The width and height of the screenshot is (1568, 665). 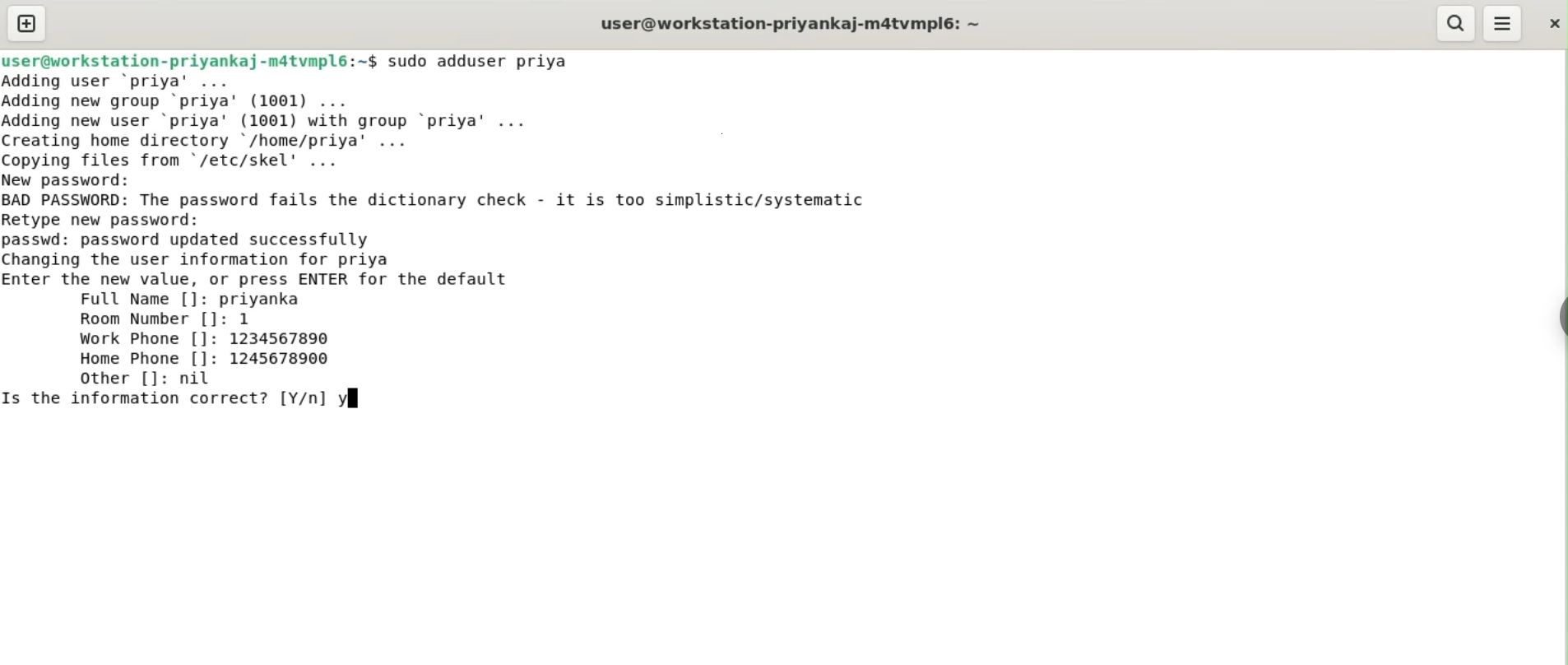 What do you see at coordinates (164, 402) in the screenshot?
I see `is thie information correct? [Y/n]` at bounding box center [164, 402].